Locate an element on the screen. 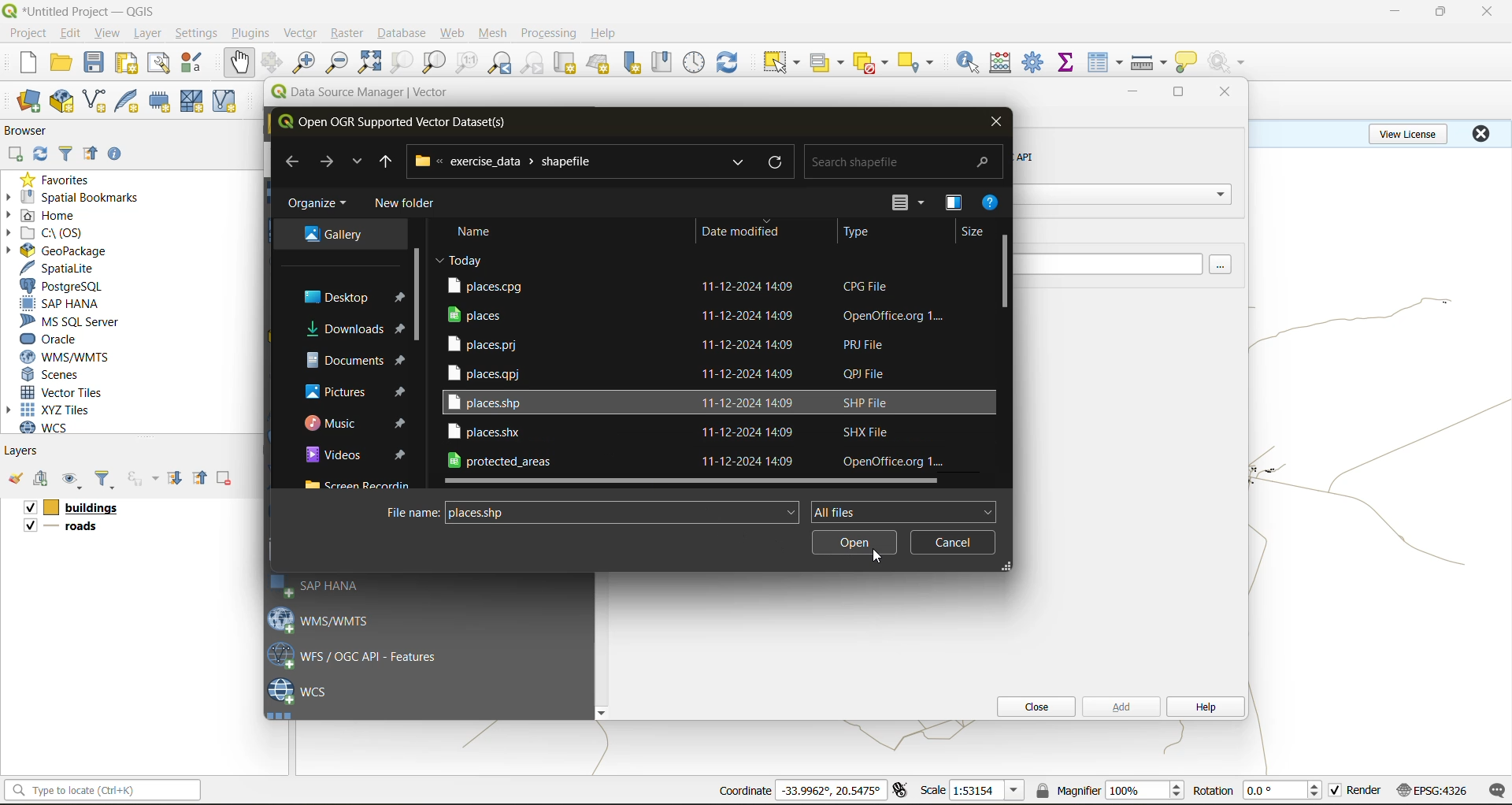  search is located at coordinates (736, 163).